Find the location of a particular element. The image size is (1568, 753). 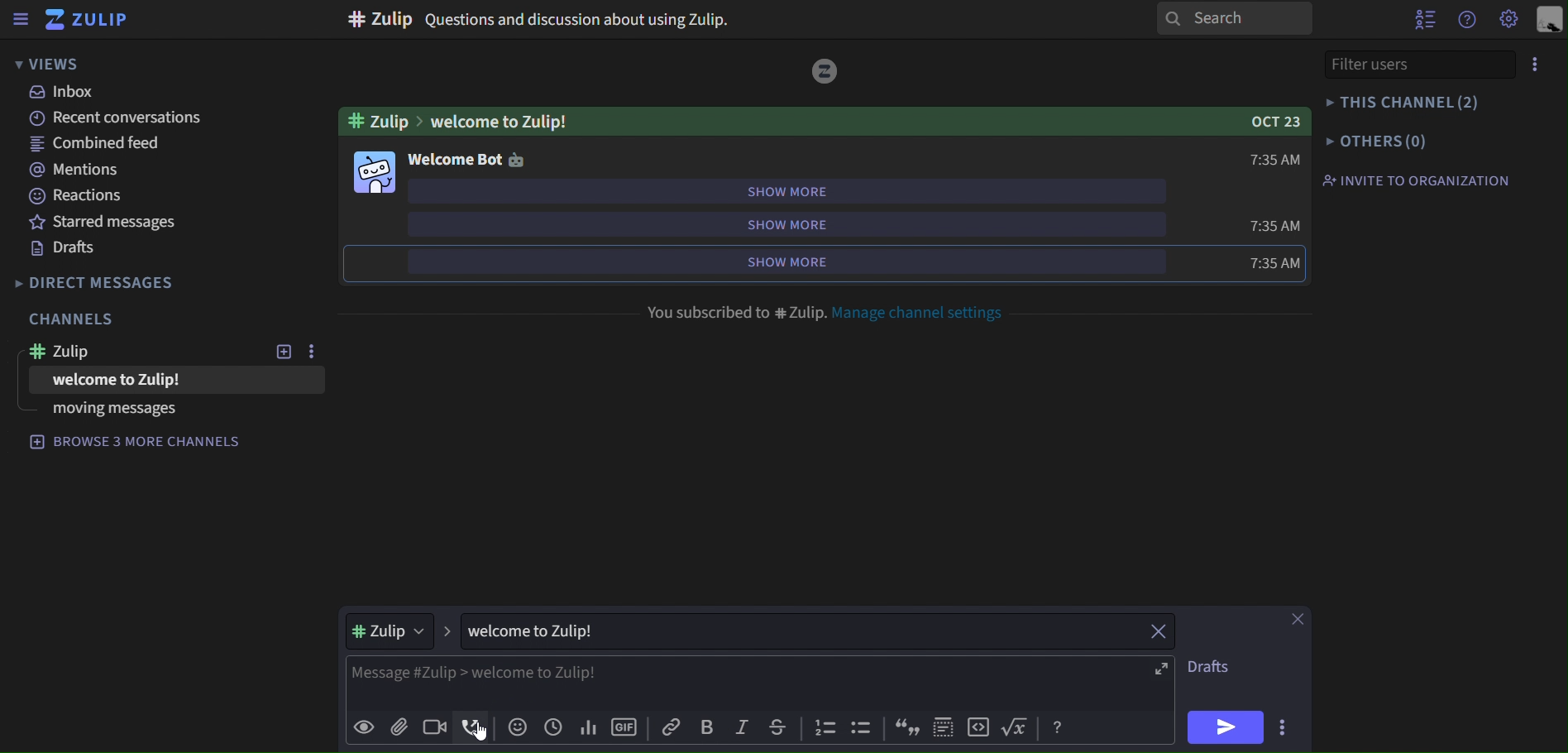

help is located at coordinates (1468, 22).